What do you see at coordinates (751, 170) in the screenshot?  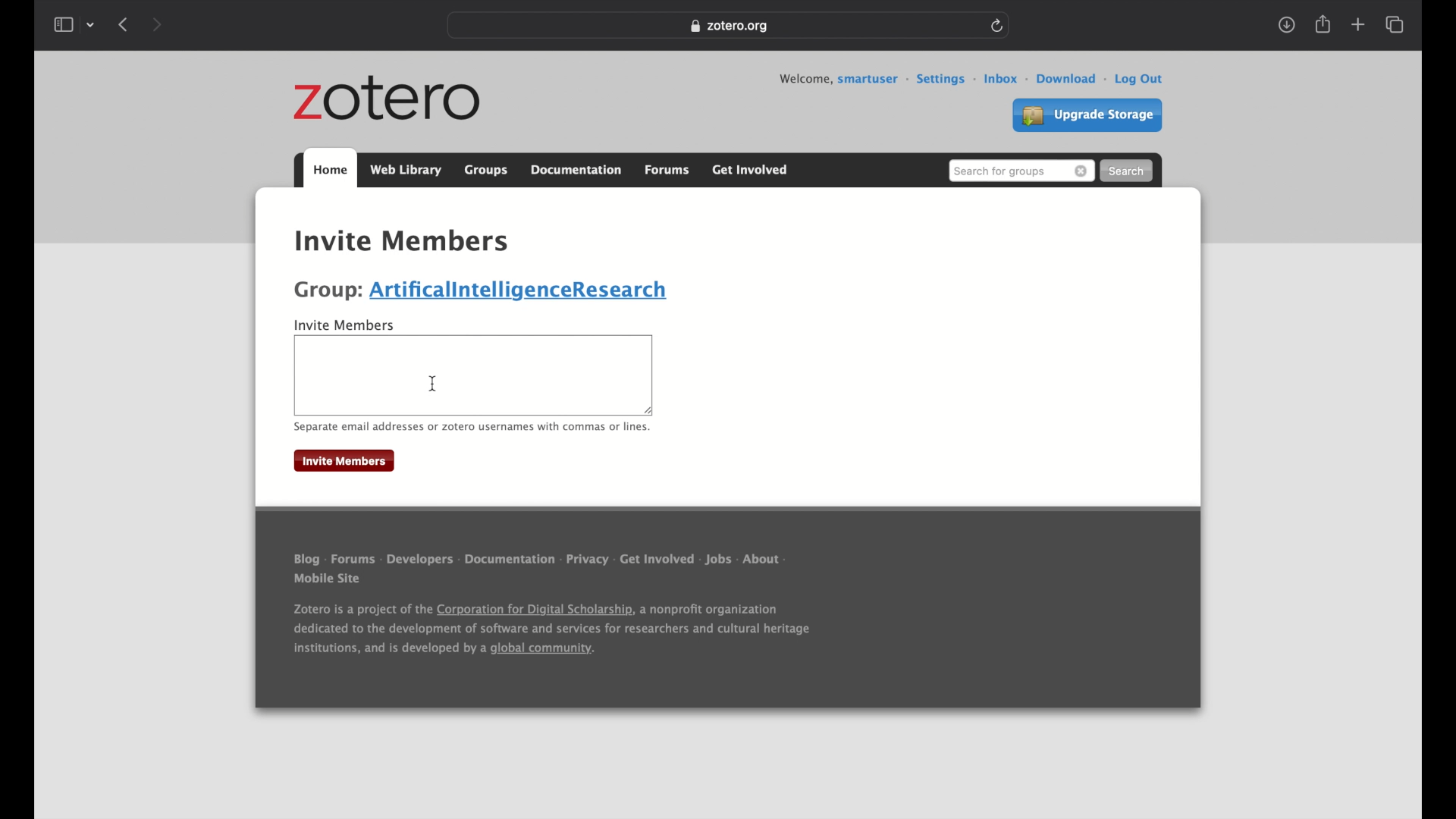 I see `get involved` at bounding box center [751, 170].